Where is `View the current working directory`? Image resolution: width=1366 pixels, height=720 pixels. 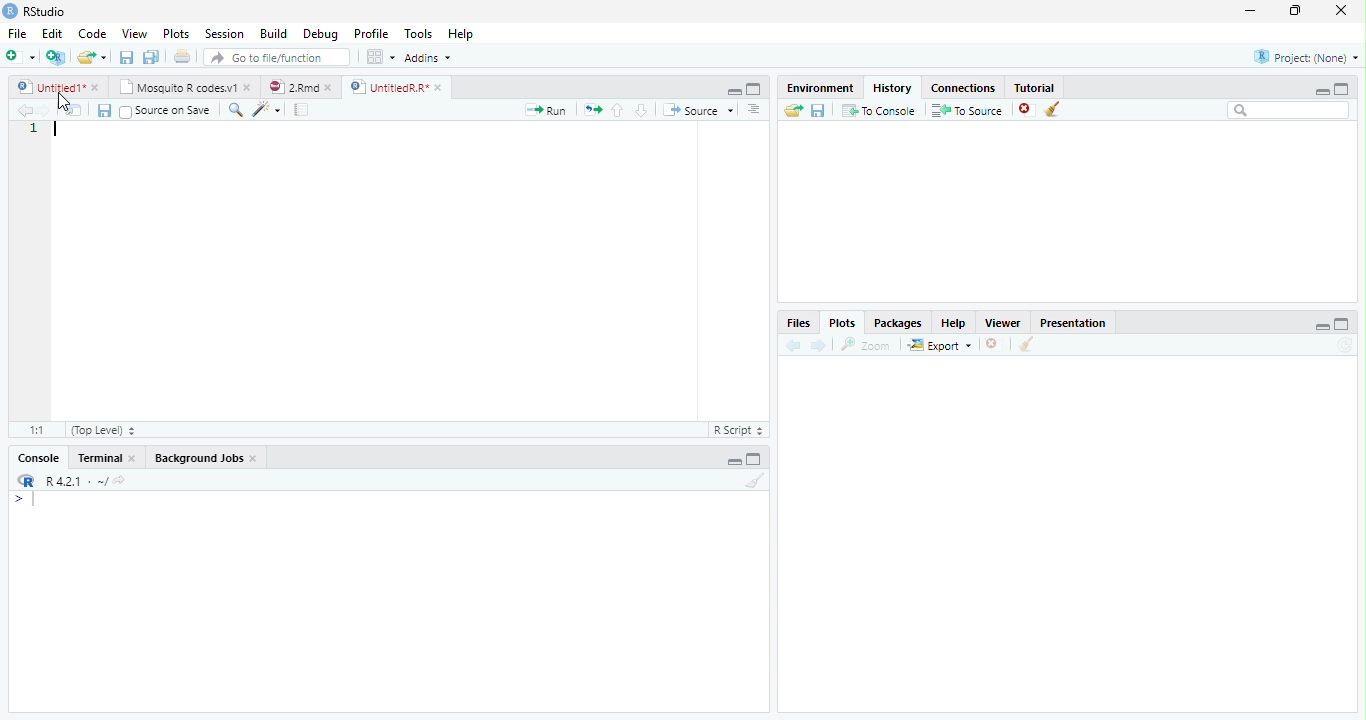 View the current working directory is located at coordinates (119, 480).